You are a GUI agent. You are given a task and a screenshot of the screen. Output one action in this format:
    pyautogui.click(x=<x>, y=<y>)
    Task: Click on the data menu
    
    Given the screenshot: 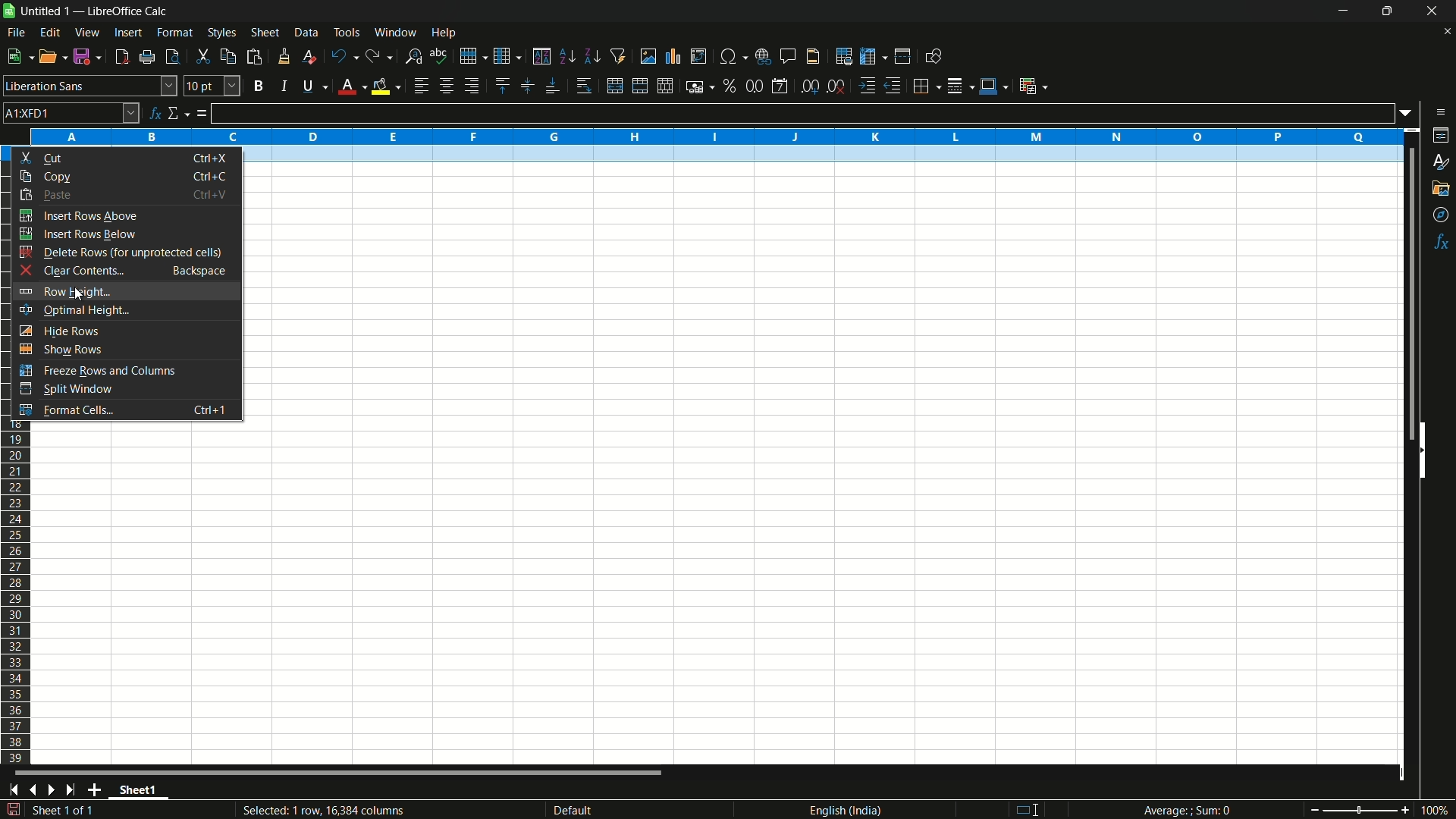 What is the action you would take?
    pyautogui.click(x=306, y=33)
    